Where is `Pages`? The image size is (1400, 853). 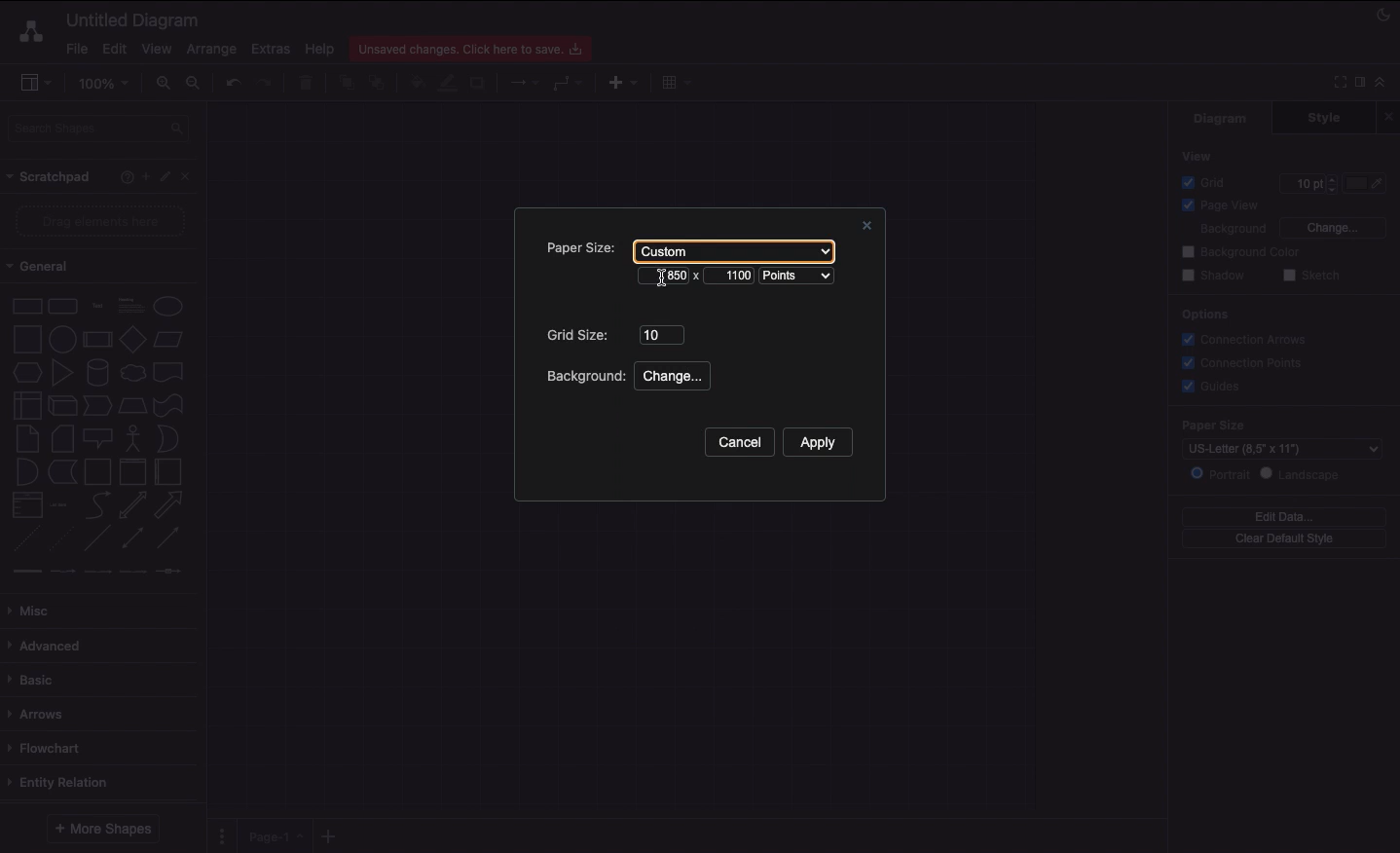
Pages is located at coordinates (218, 836).